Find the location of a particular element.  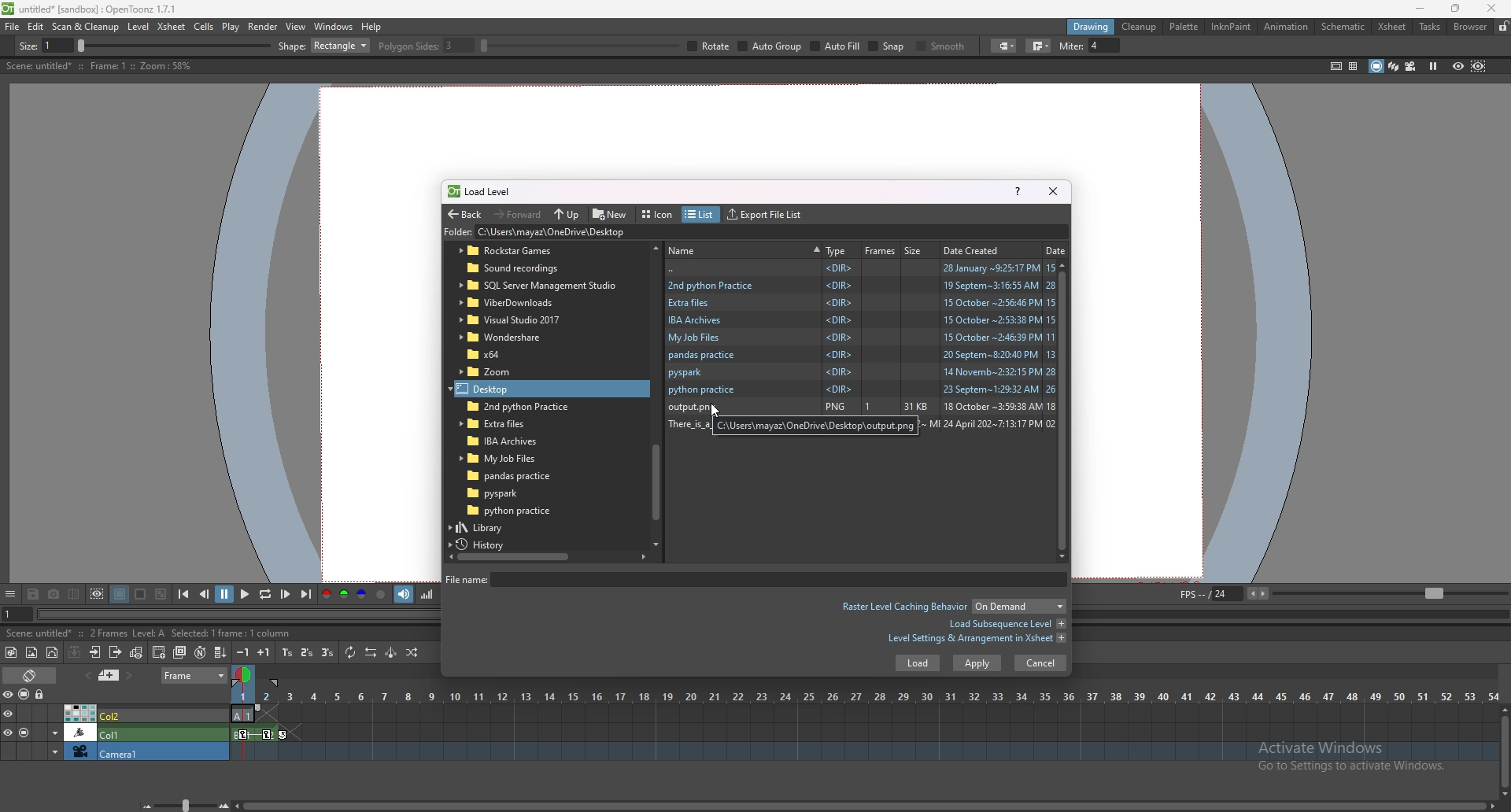

duplicate drawing is located at coordinates (181, 652).